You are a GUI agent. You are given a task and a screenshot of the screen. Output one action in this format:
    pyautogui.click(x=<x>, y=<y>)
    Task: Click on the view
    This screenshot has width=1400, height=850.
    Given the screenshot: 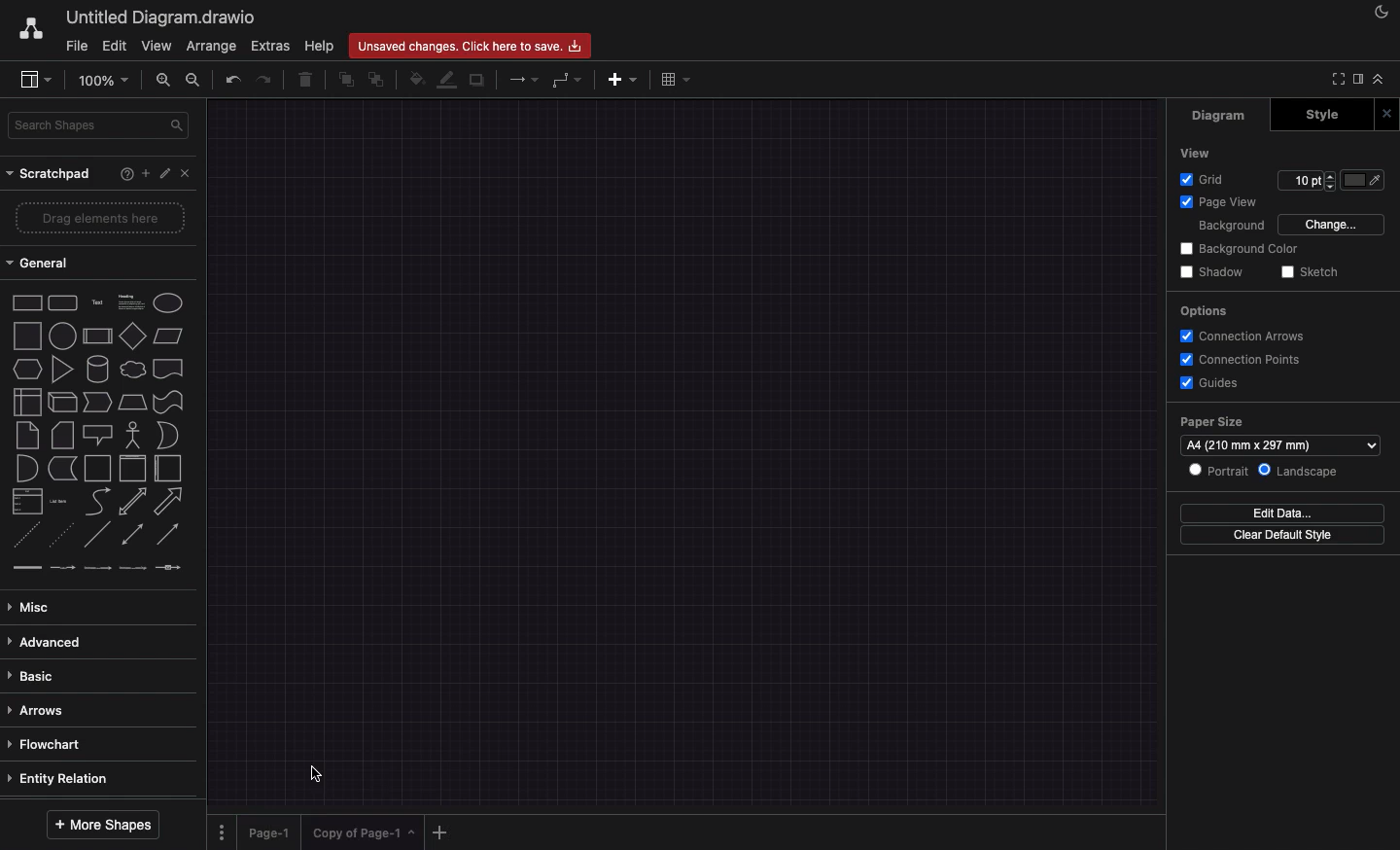 What is the action you would take?
    pyautogui.click(x=1193, y=155)
    